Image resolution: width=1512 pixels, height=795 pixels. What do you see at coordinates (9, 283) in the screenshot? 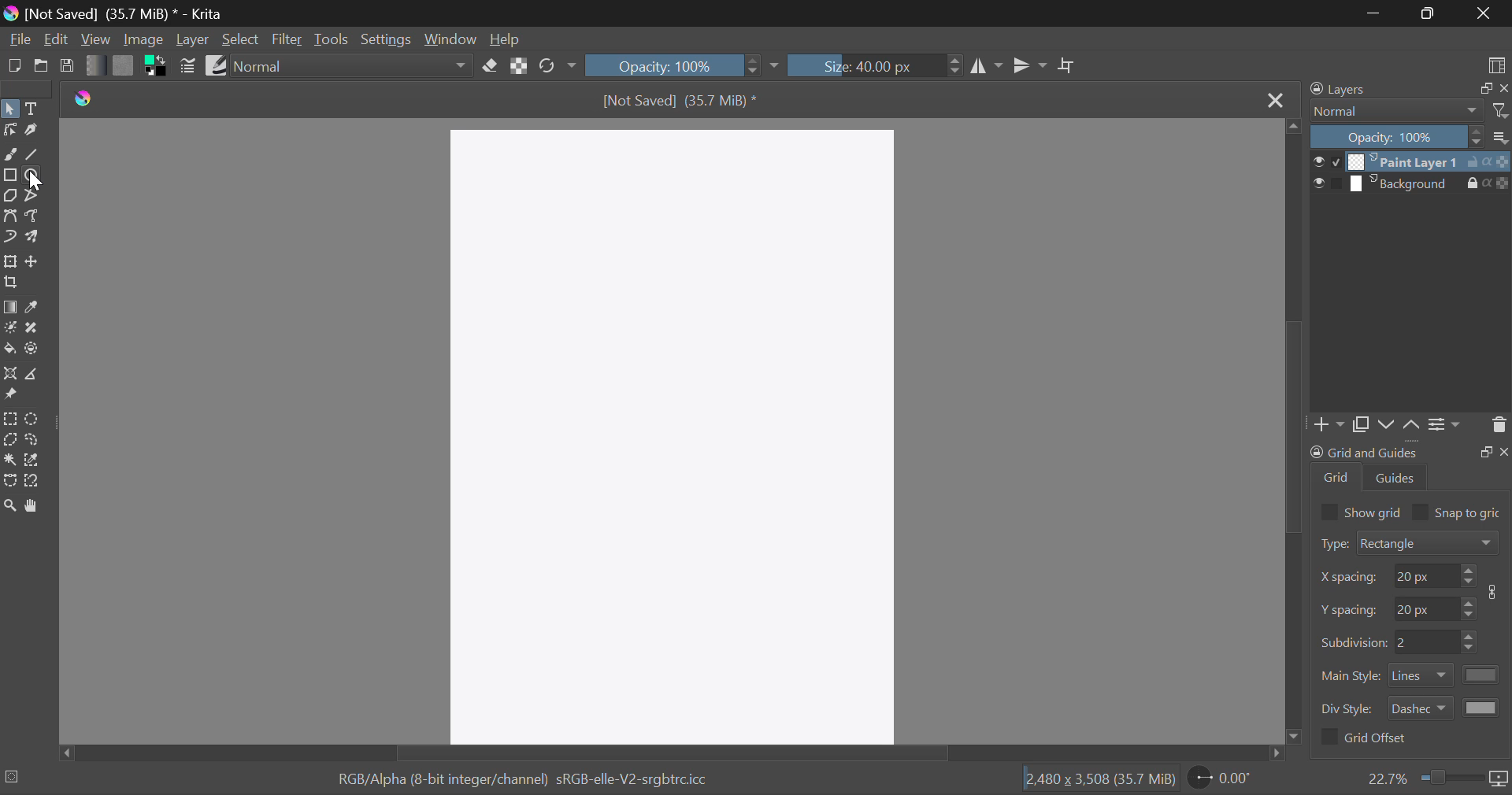
I see `Crop` at bounding box center [9, 283].